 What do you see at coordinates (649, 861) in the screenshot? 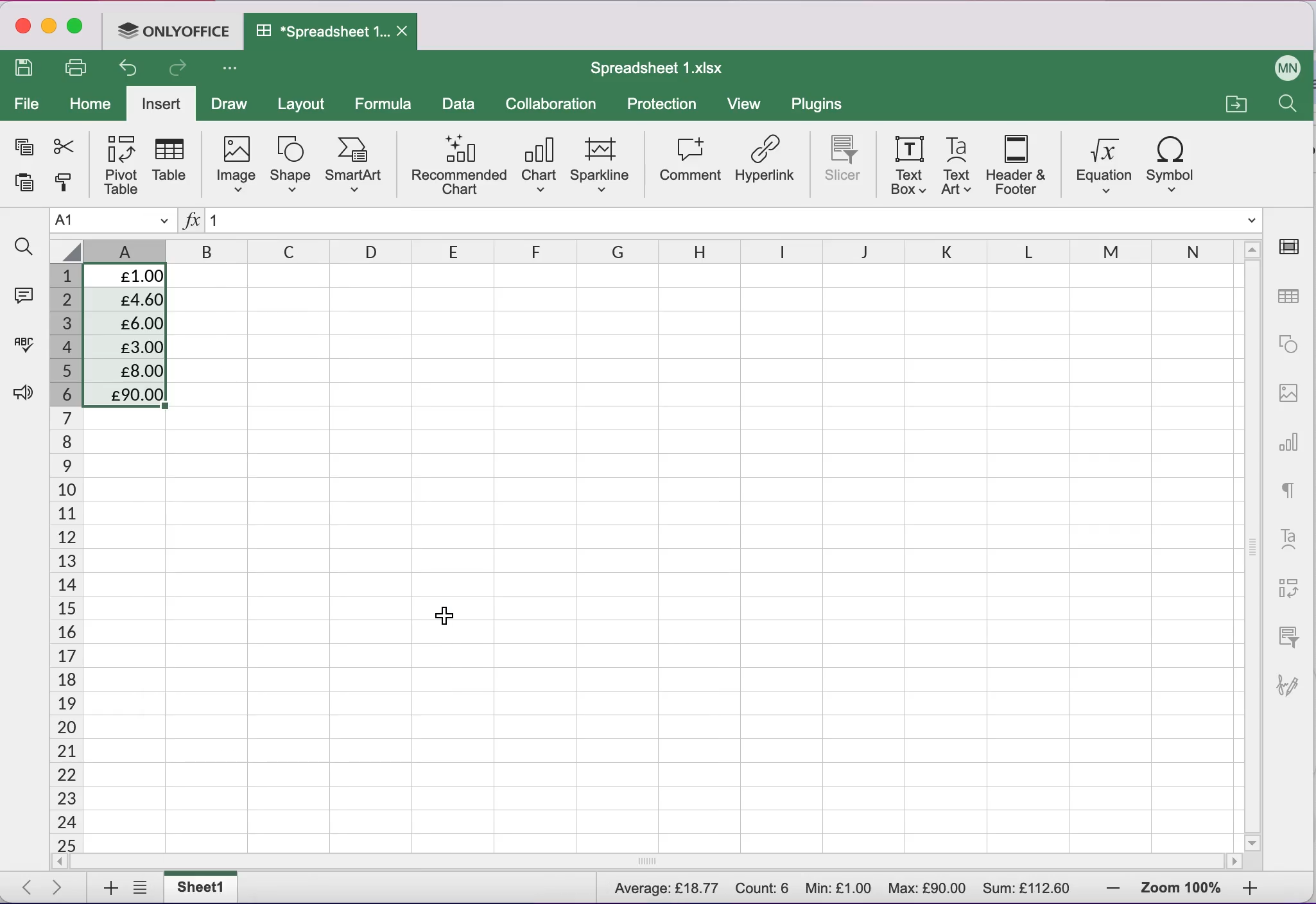
I see `horizontal scrollbar` at bounding box center [649, 861].